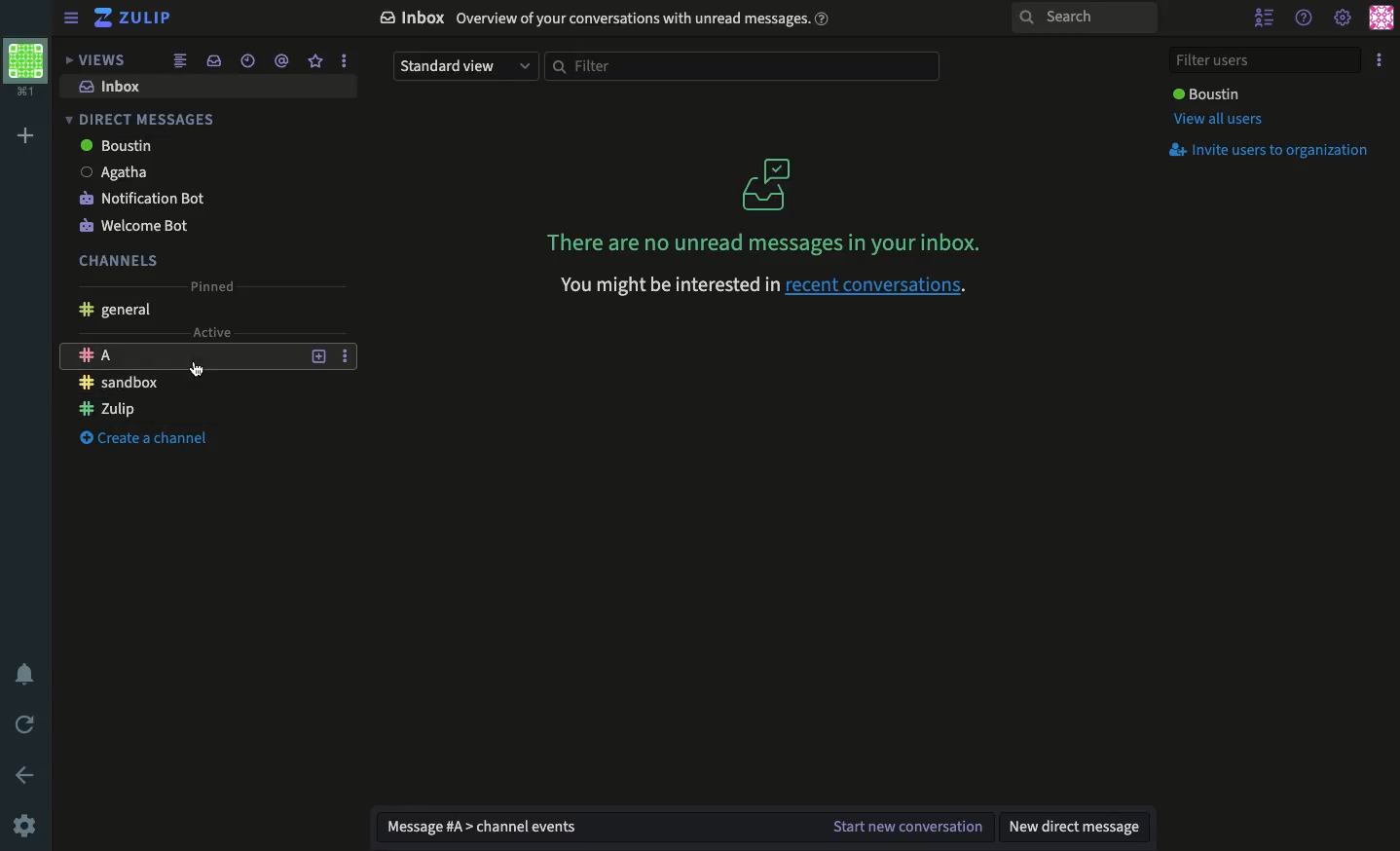 The image size is (1400, 851). Describe the element at coordinates (282, 61) in the screenshot. I see `Mention` at that location.